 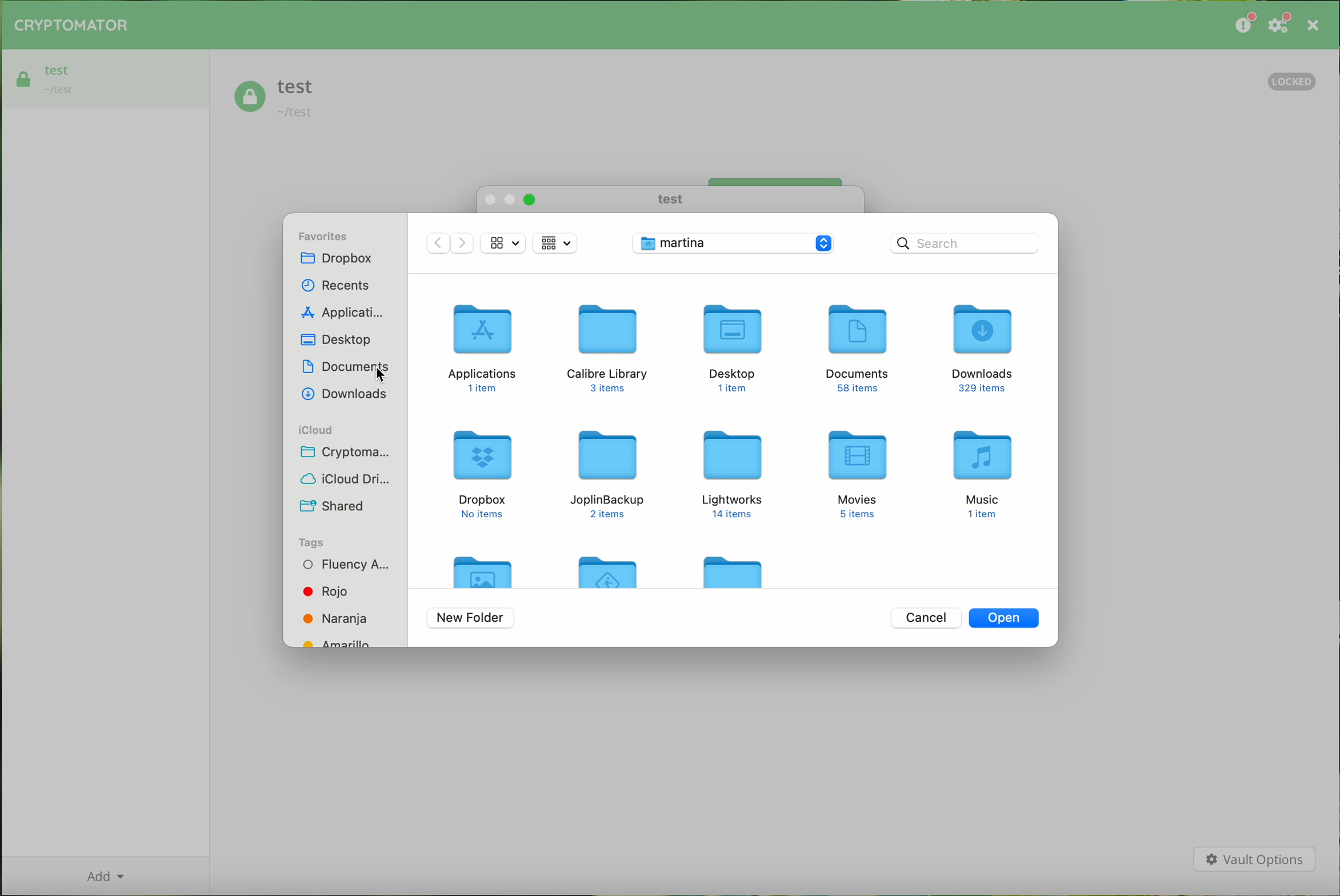 I want to click on music, so click(x=985, y=475).